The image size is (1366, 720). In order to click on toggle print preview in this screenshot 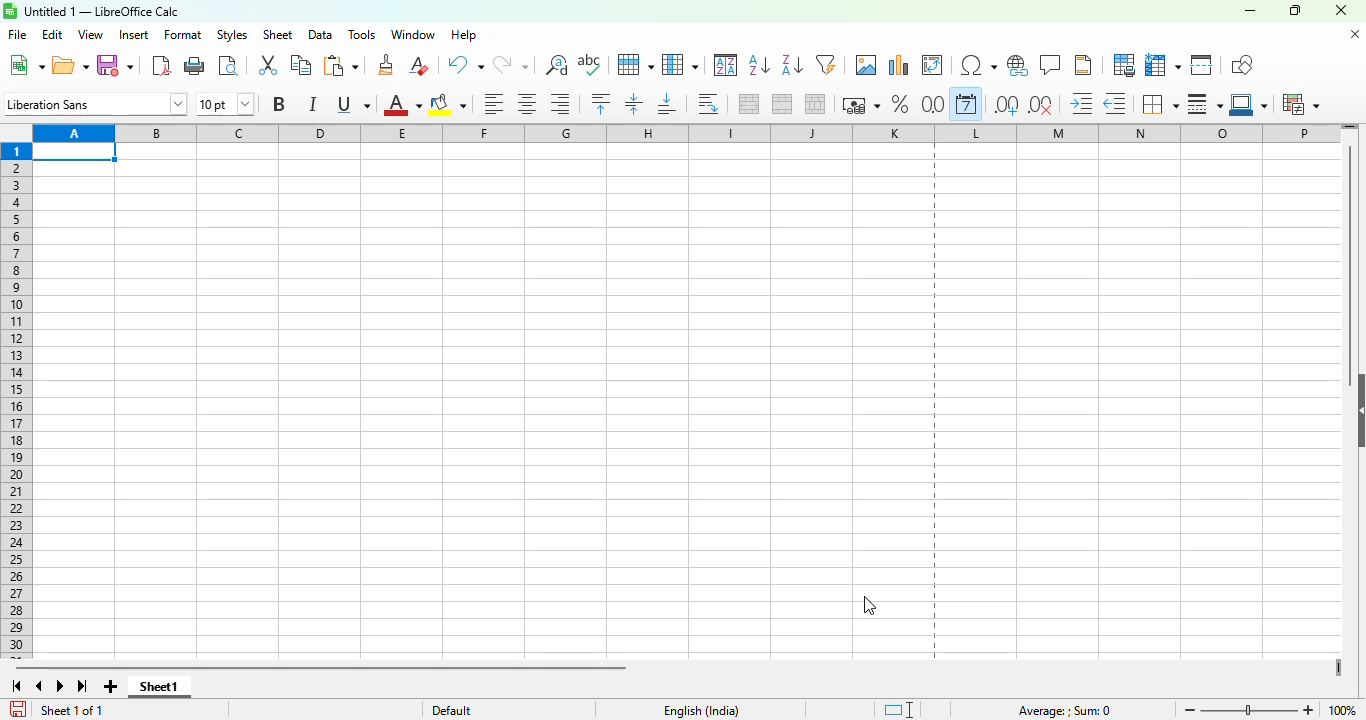, I will do `click(228, 66)`.